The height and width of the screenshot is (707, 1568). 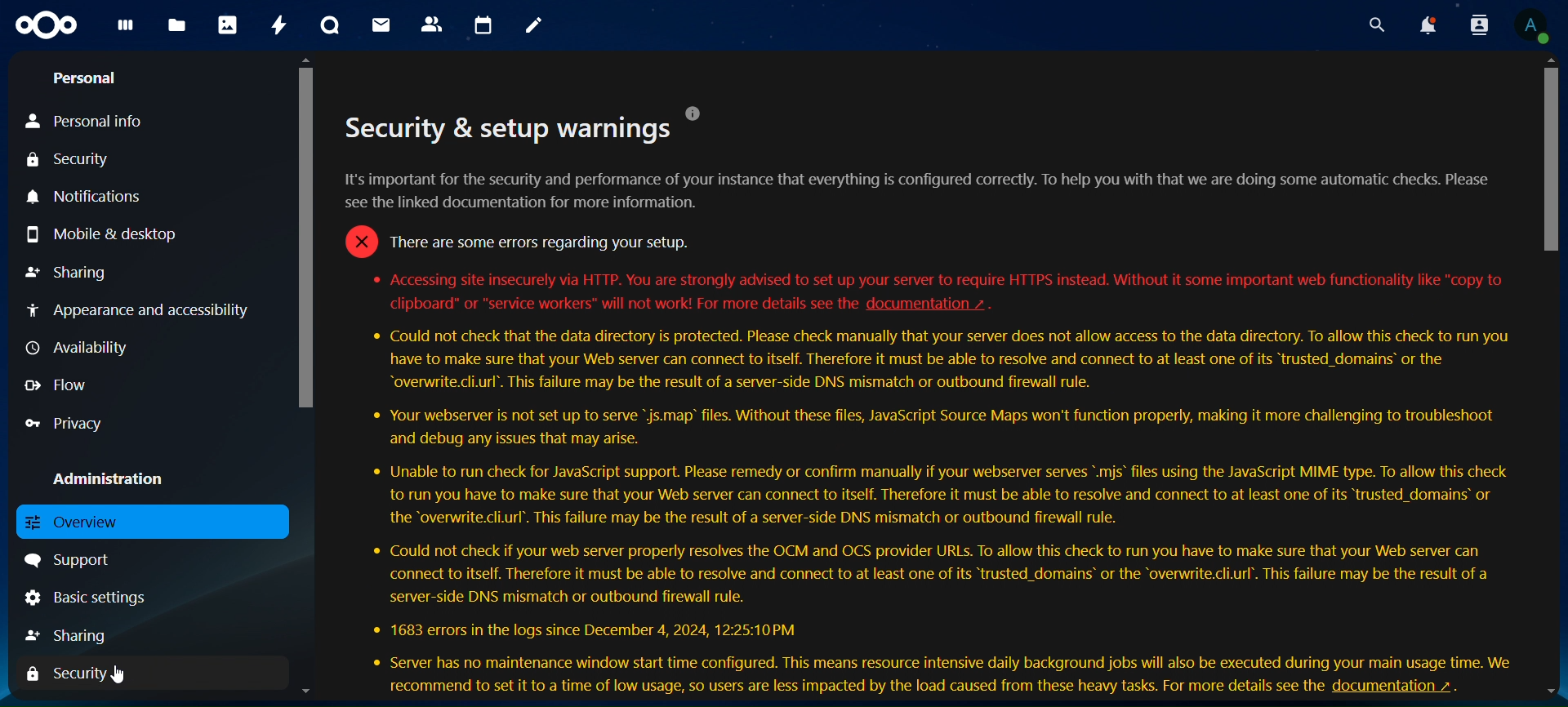 What do you see at coordinates (1476, 24) in the screenshot?
I see `notification` at bounding box center [1476, 24].